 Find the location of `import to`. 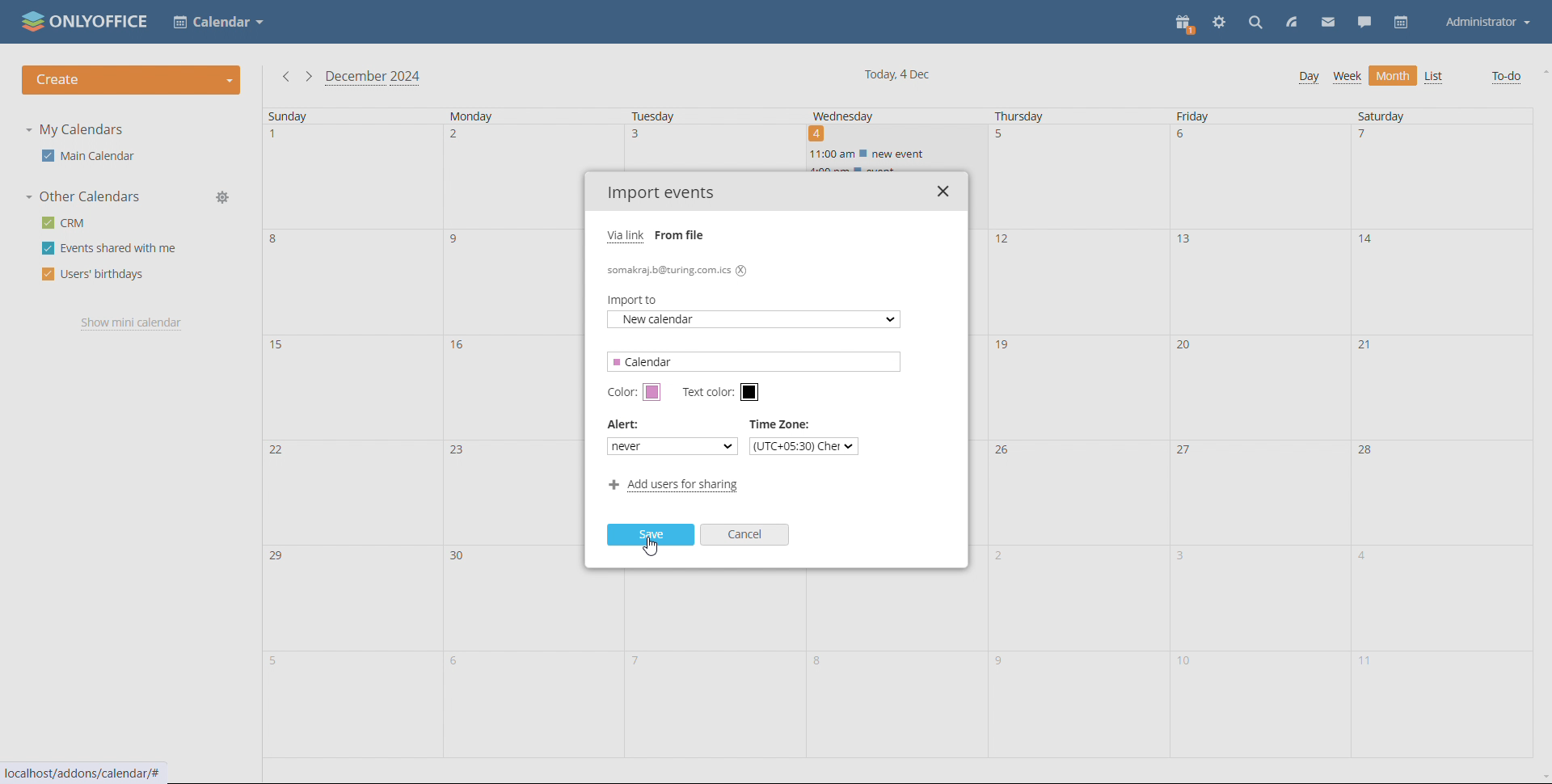

import to is located at coordinates (639, 302).